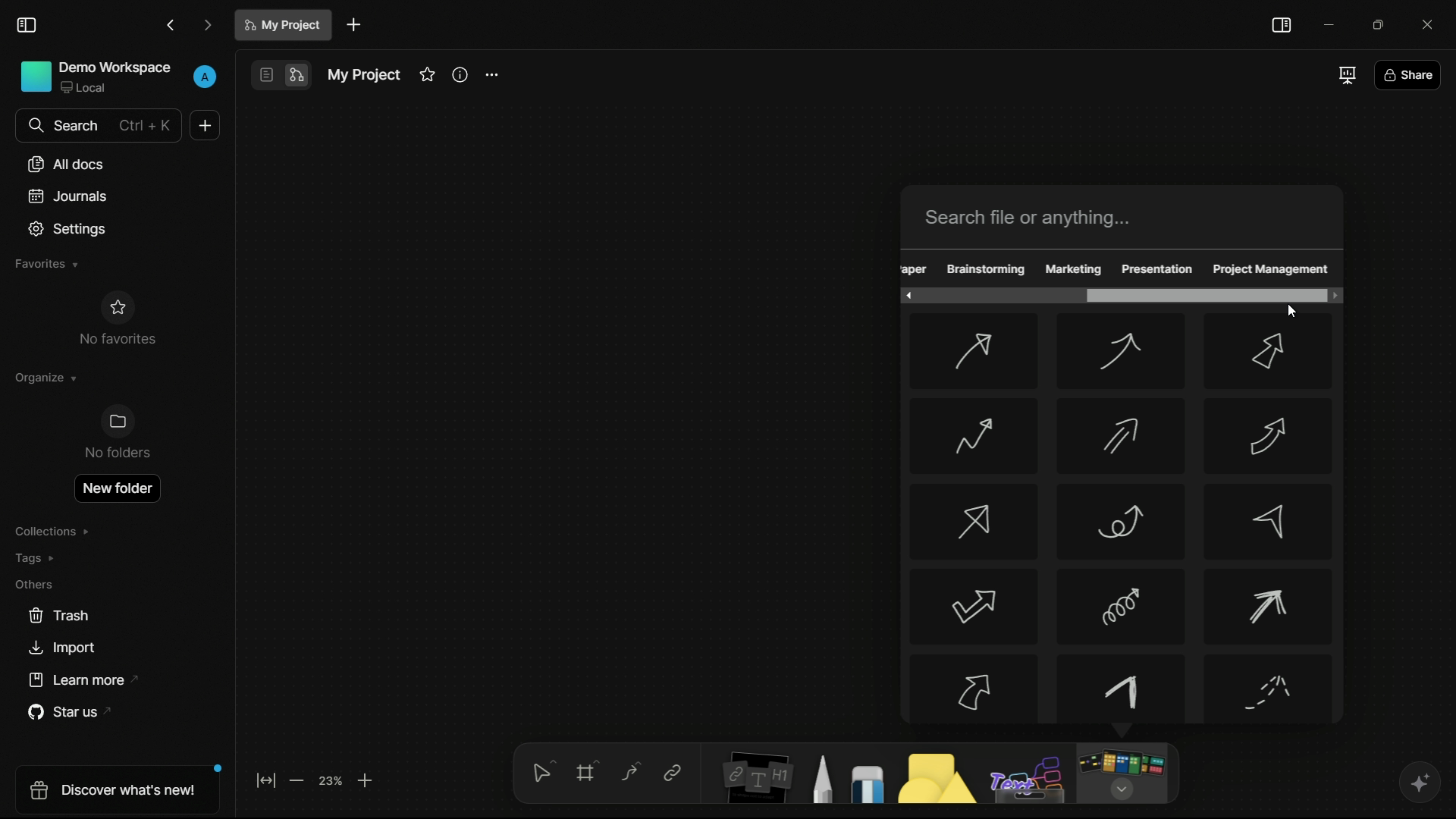 This screenshot has height=819, width=1456. What do you see at coordinates (205, 125) in the screenshot?
I see `new document` at bounding box center [205, 125].